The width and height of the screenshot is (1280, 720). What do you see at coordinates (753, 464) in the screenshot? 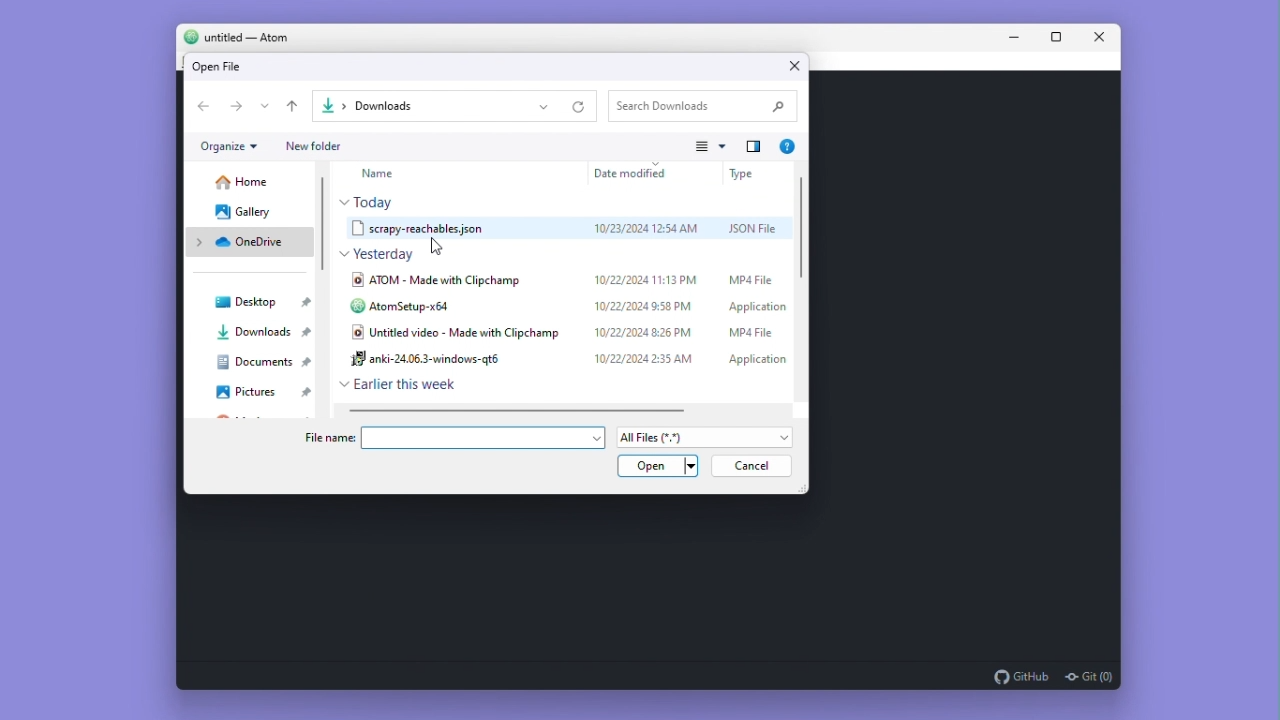
I see `Cancel` at bounding box center [753, 464].